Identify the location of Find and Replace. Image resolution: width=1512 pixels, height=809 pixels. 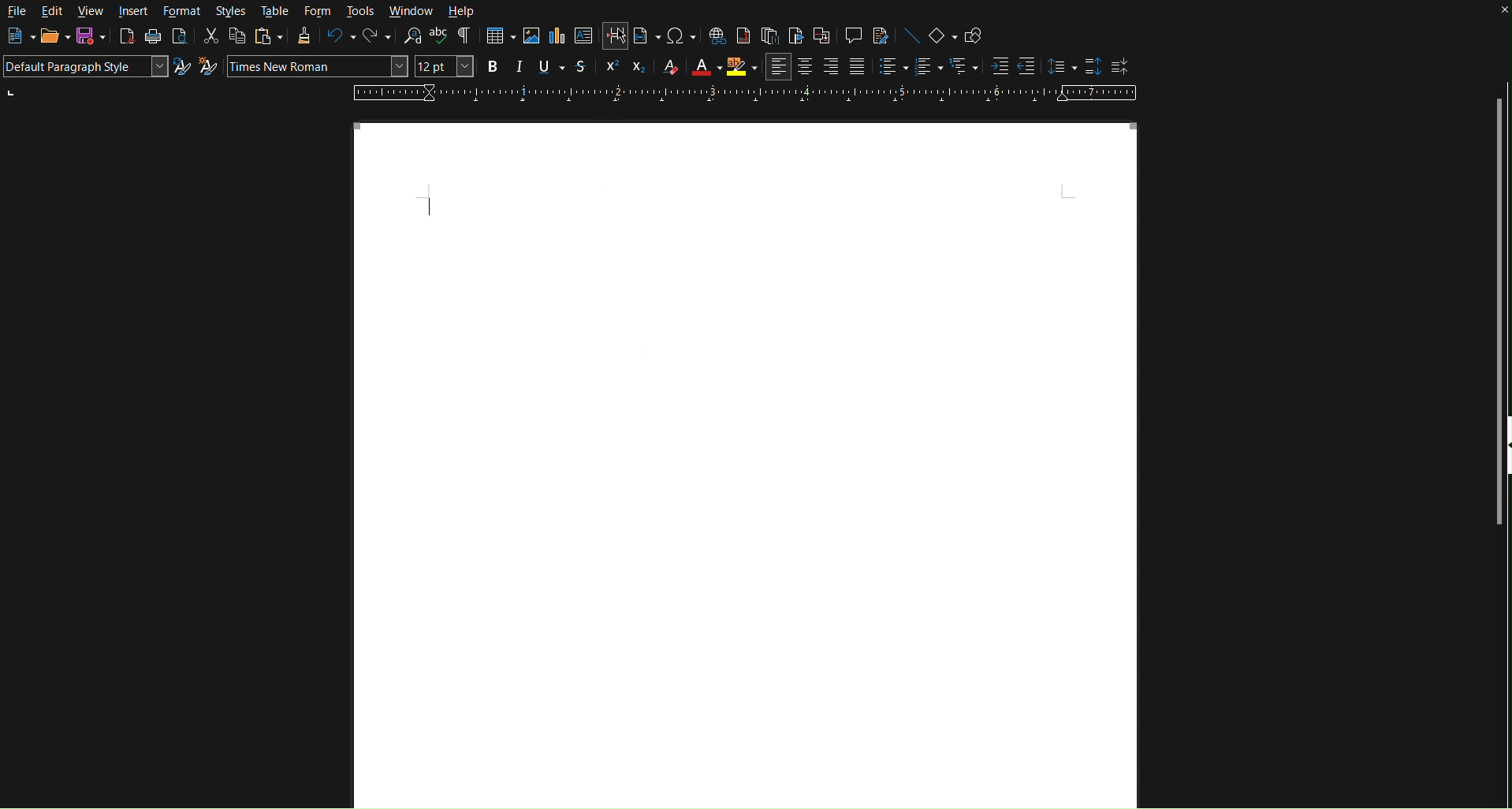
(410, 36).